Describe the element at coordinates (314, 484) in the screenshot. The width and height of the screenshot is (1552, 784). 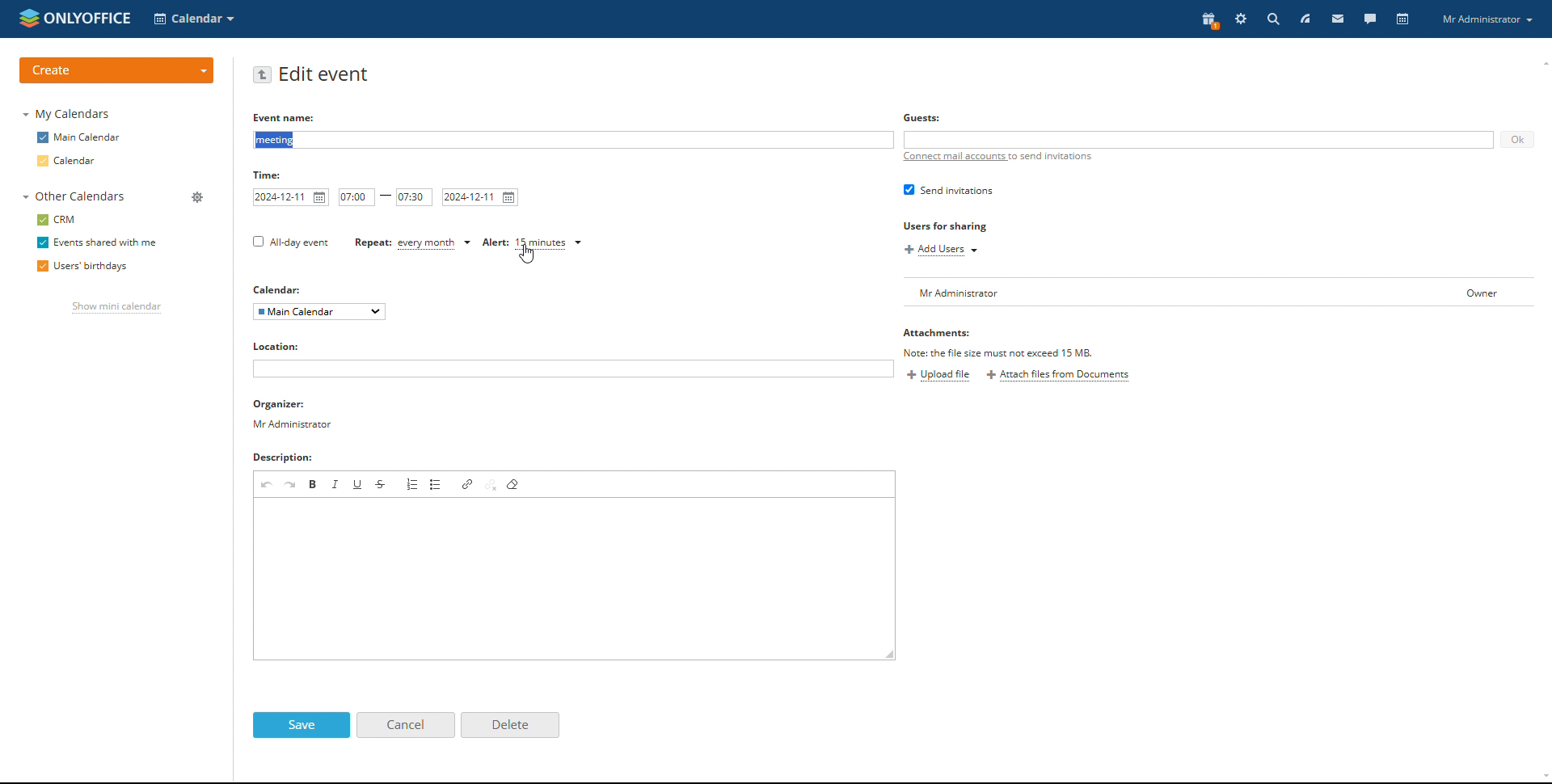
I see `bold` at that location.